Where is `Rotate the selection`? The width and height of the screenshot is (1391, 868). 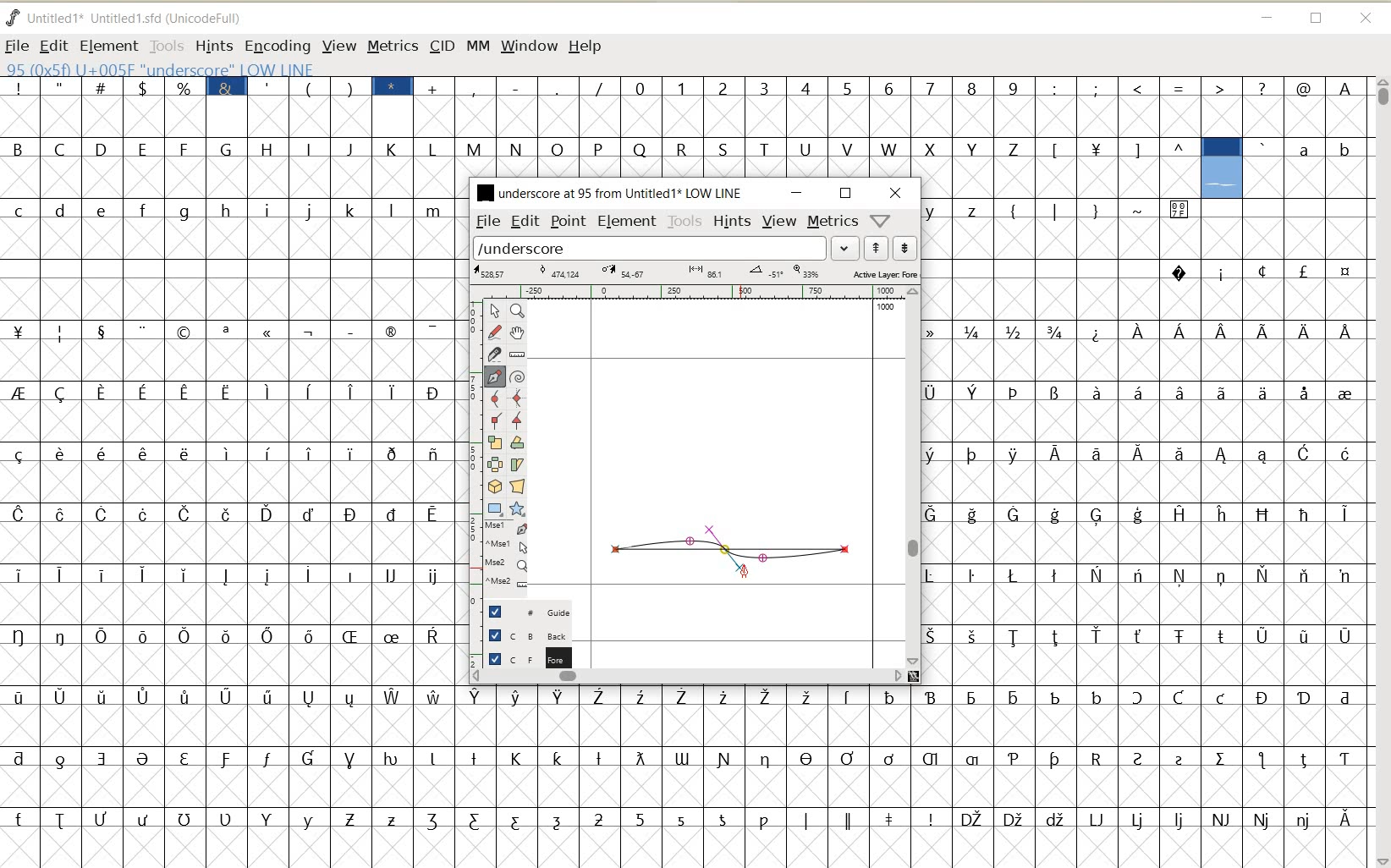
Rotate the selection is located at coordinates (518, 442).